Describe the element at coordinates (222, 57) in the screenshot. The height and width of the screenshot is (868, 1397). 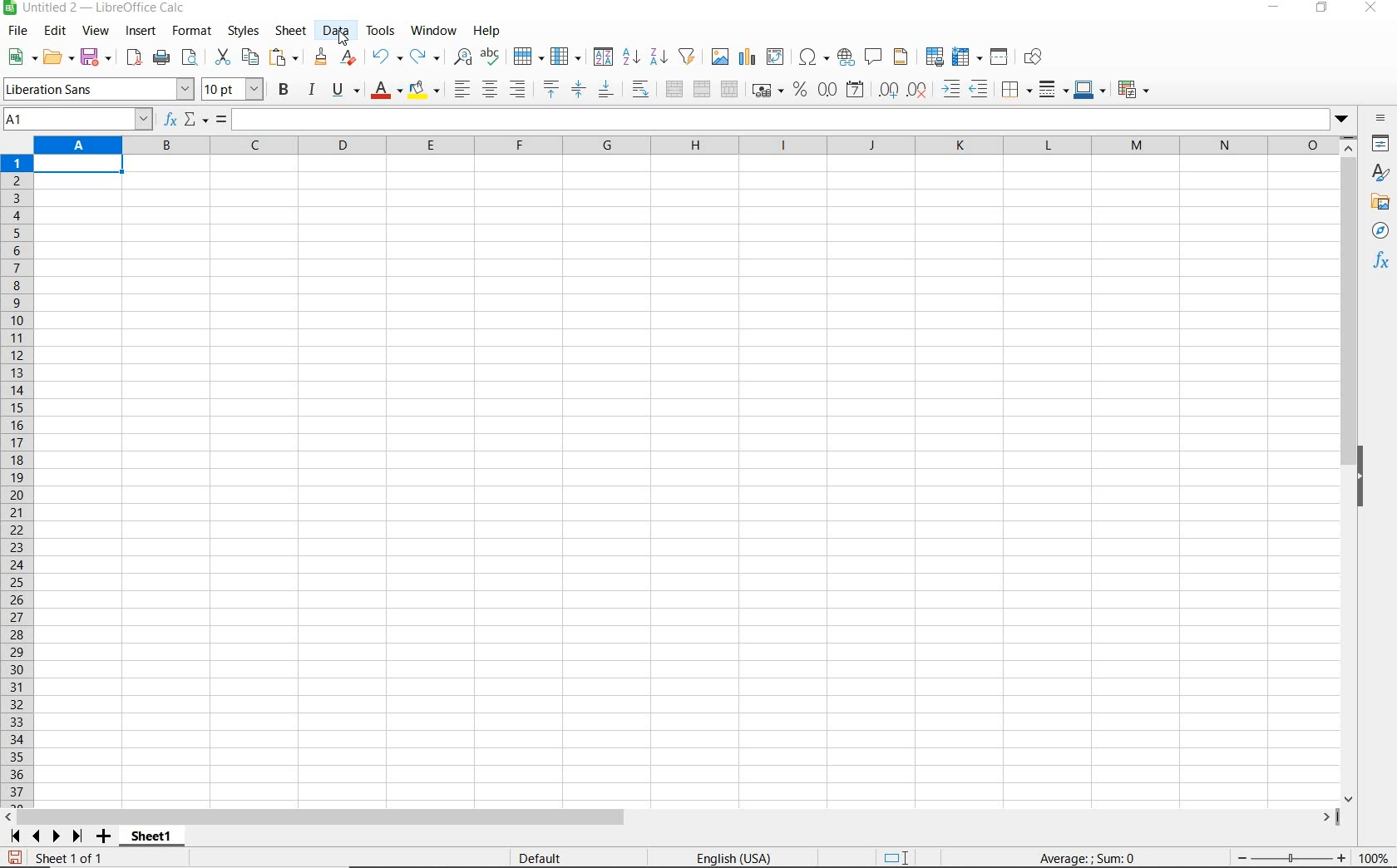
I see `cut` at that location.